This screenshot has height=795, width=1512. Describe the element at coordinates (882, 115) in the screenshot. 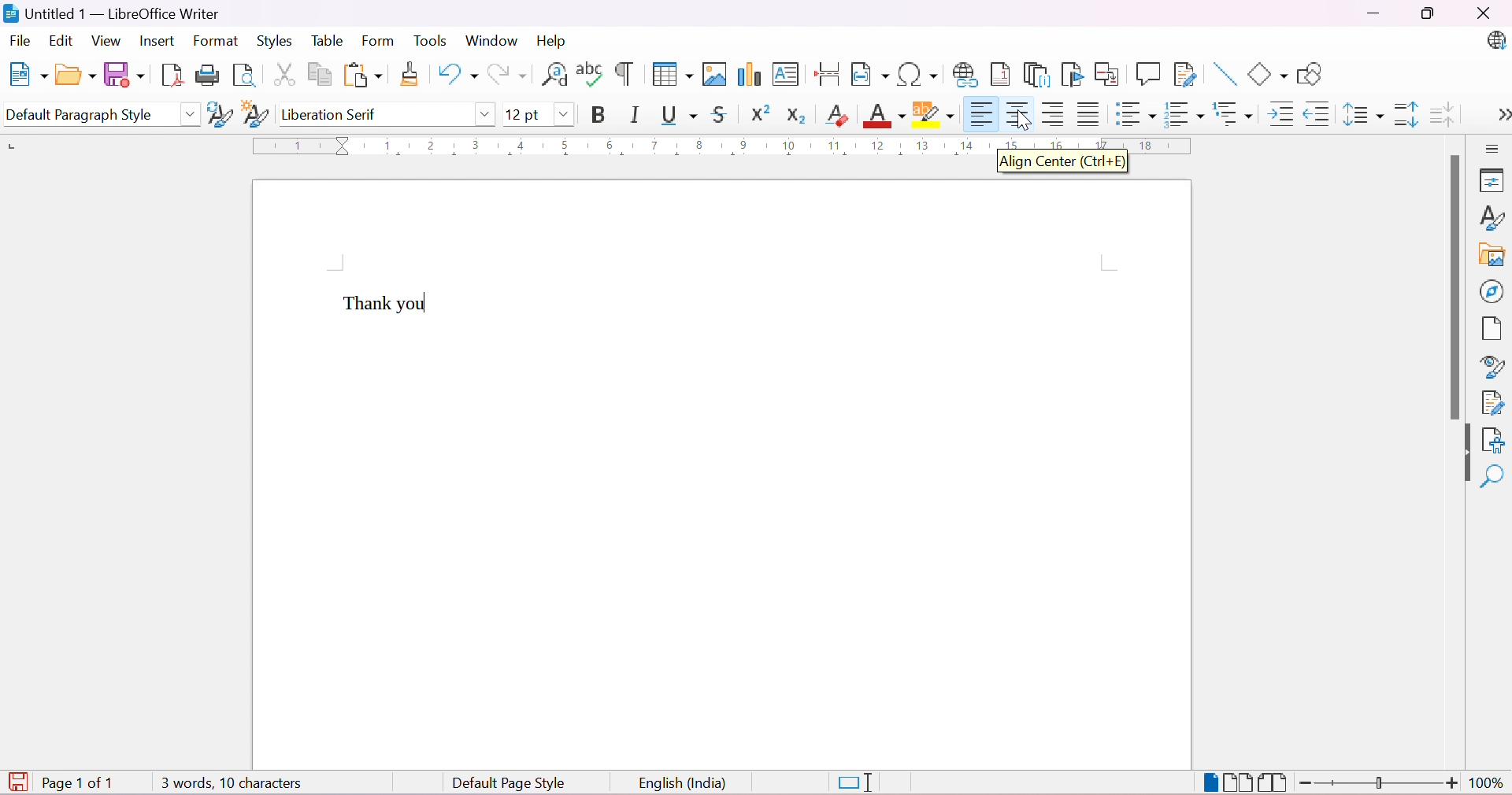

I see `Font Color` at that location.